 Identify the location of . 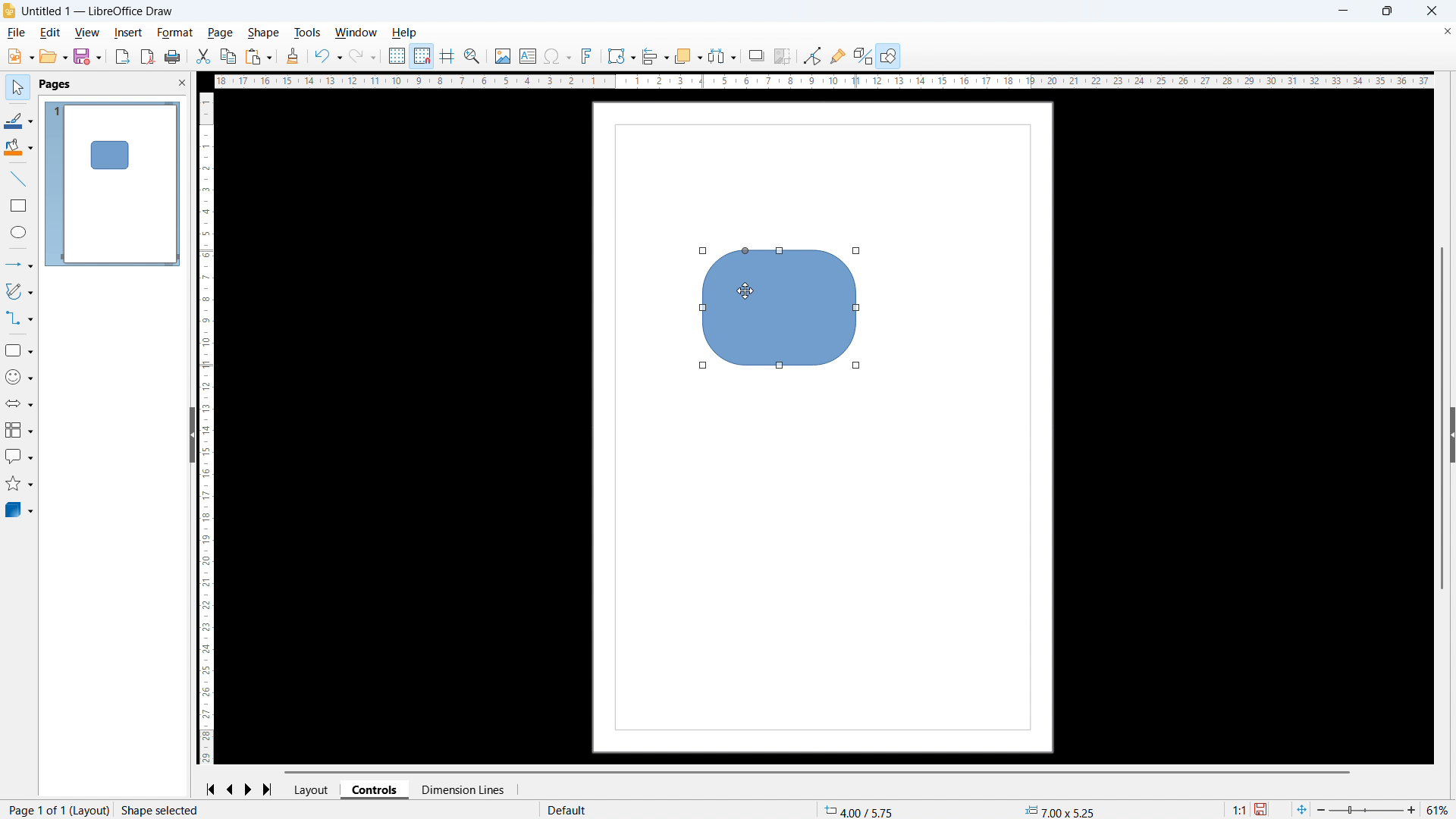
(757, 55).